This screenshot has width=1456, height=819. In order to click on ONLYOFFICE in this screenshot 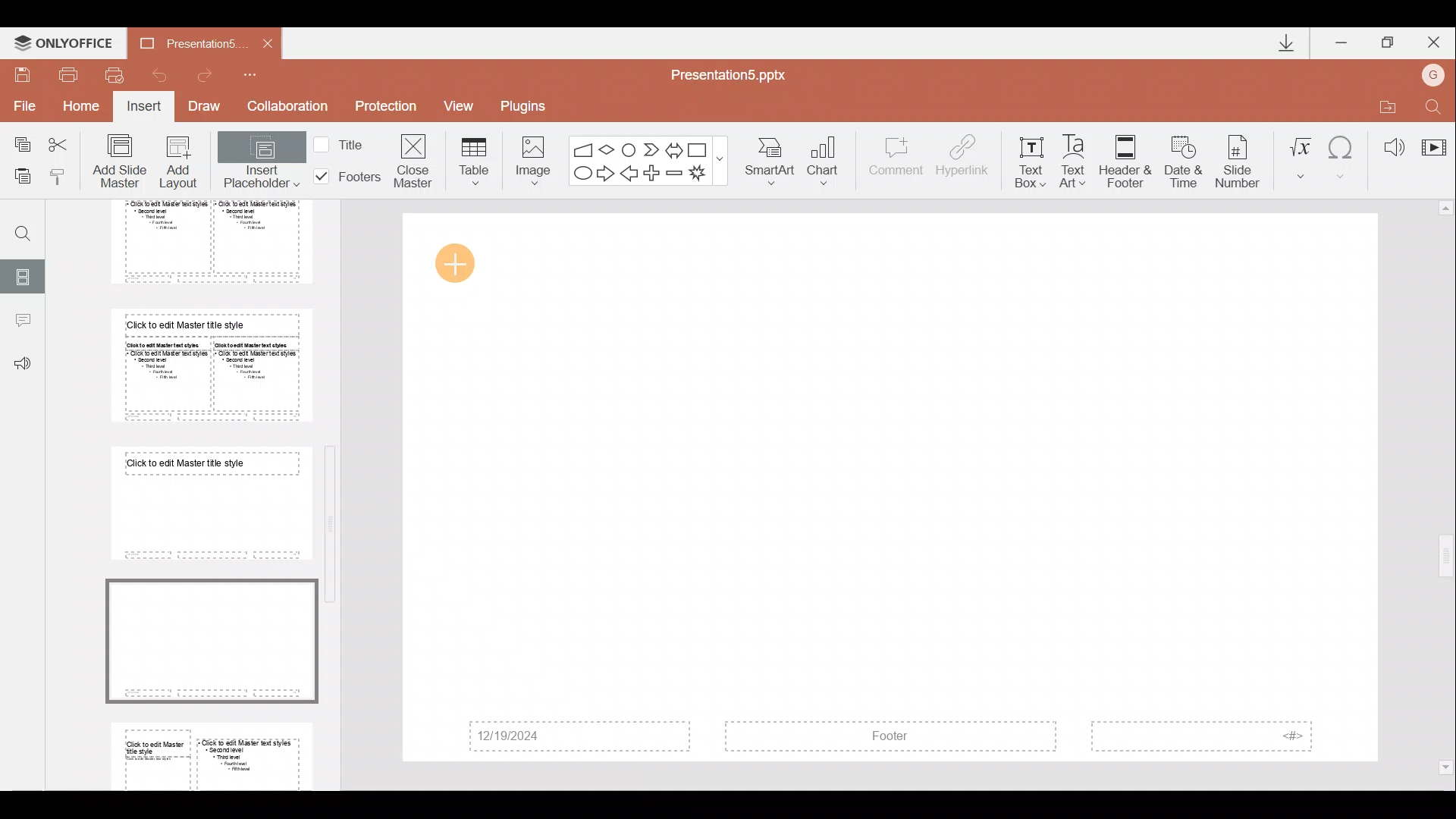, I will do `click(63, 39)`.